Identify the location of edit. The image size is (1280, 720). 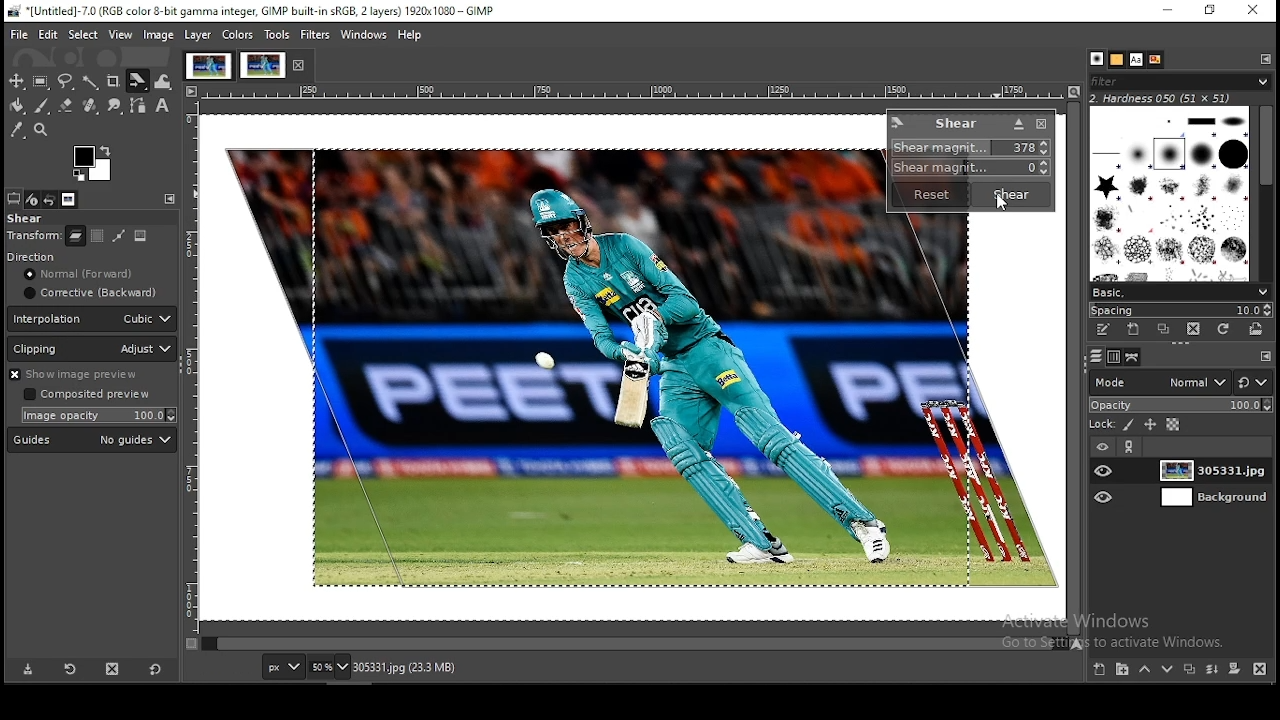
(49, 34).